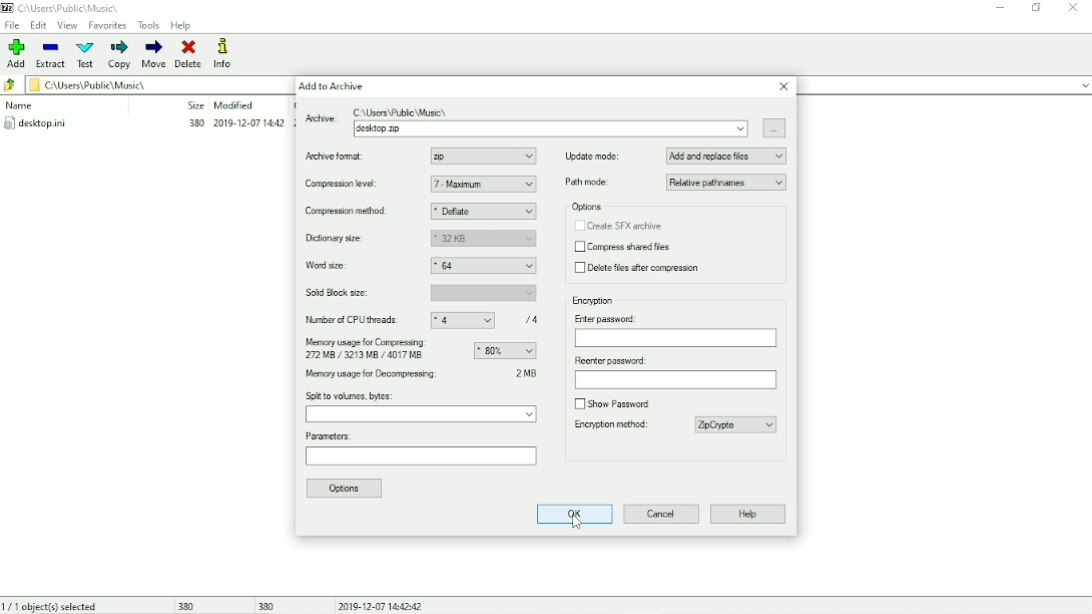 This screenshot has height=614, width=1092. Describe the element at coordinates (189, 54) in the screenshot. I see `Delete` at that location.